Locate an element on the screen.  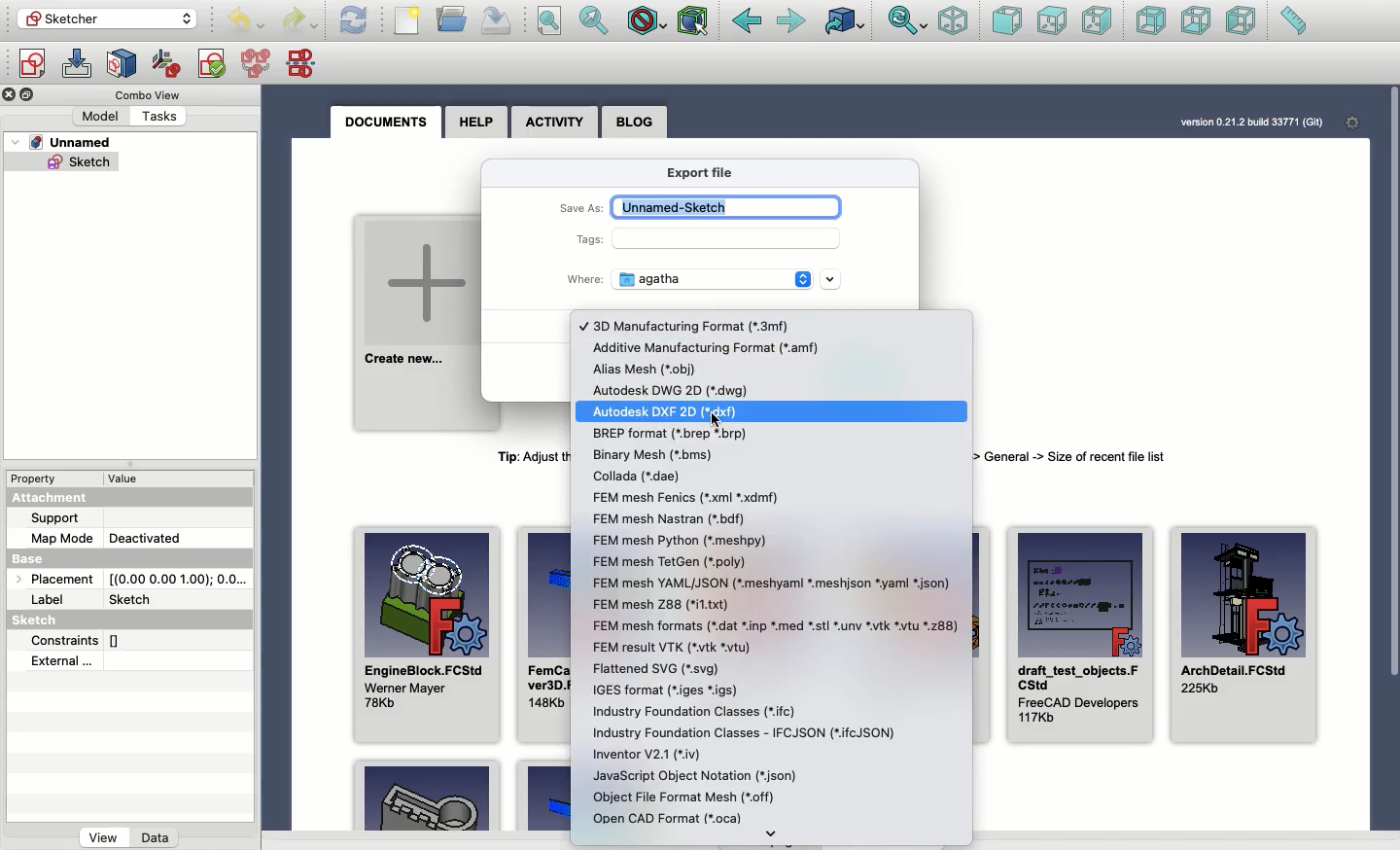
Property is located at coordinates (39, 477).